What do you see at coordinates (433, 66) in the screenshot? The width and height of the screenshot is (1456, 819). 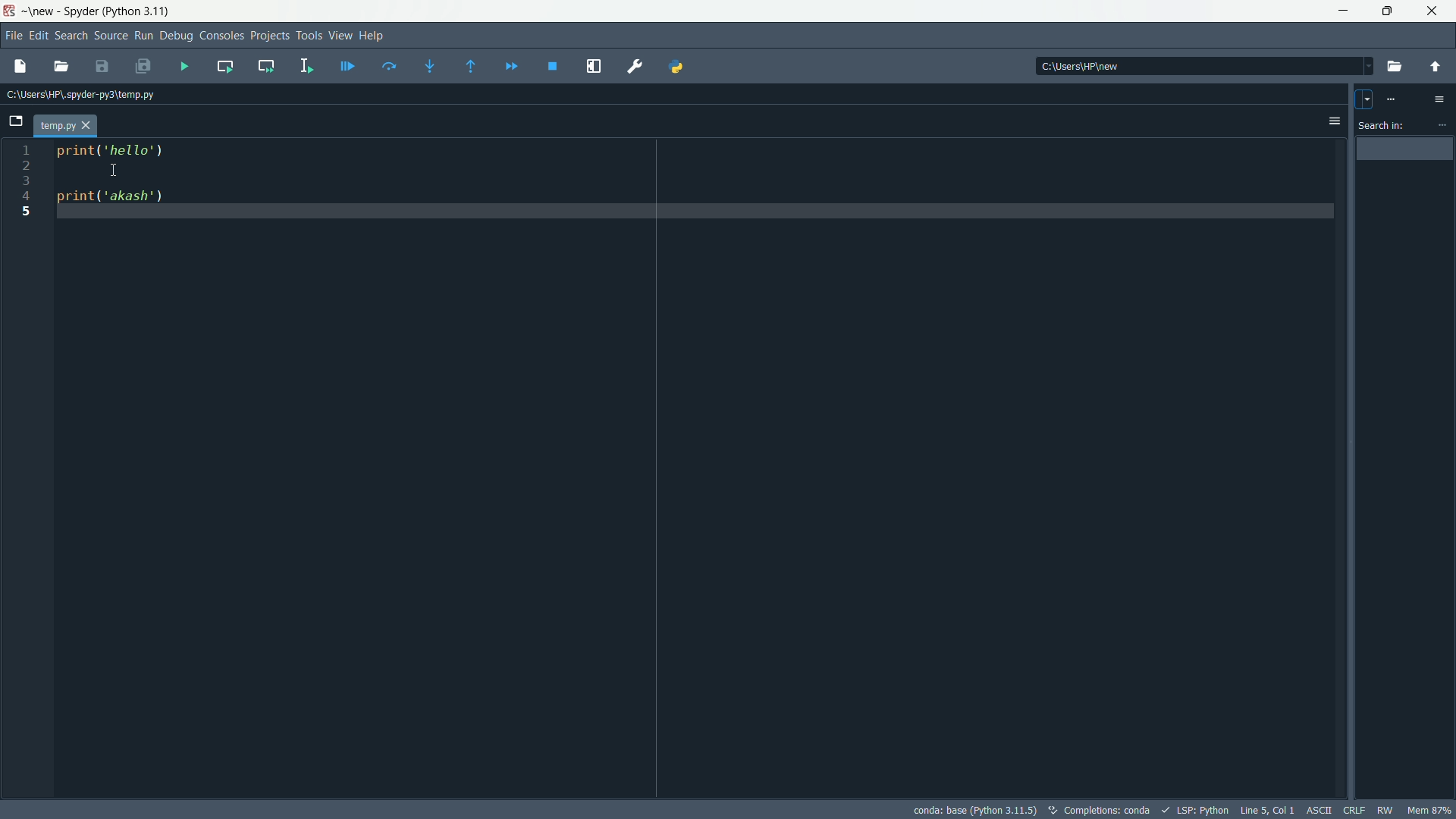 I see `step into function` at bounding box center [433, 66].